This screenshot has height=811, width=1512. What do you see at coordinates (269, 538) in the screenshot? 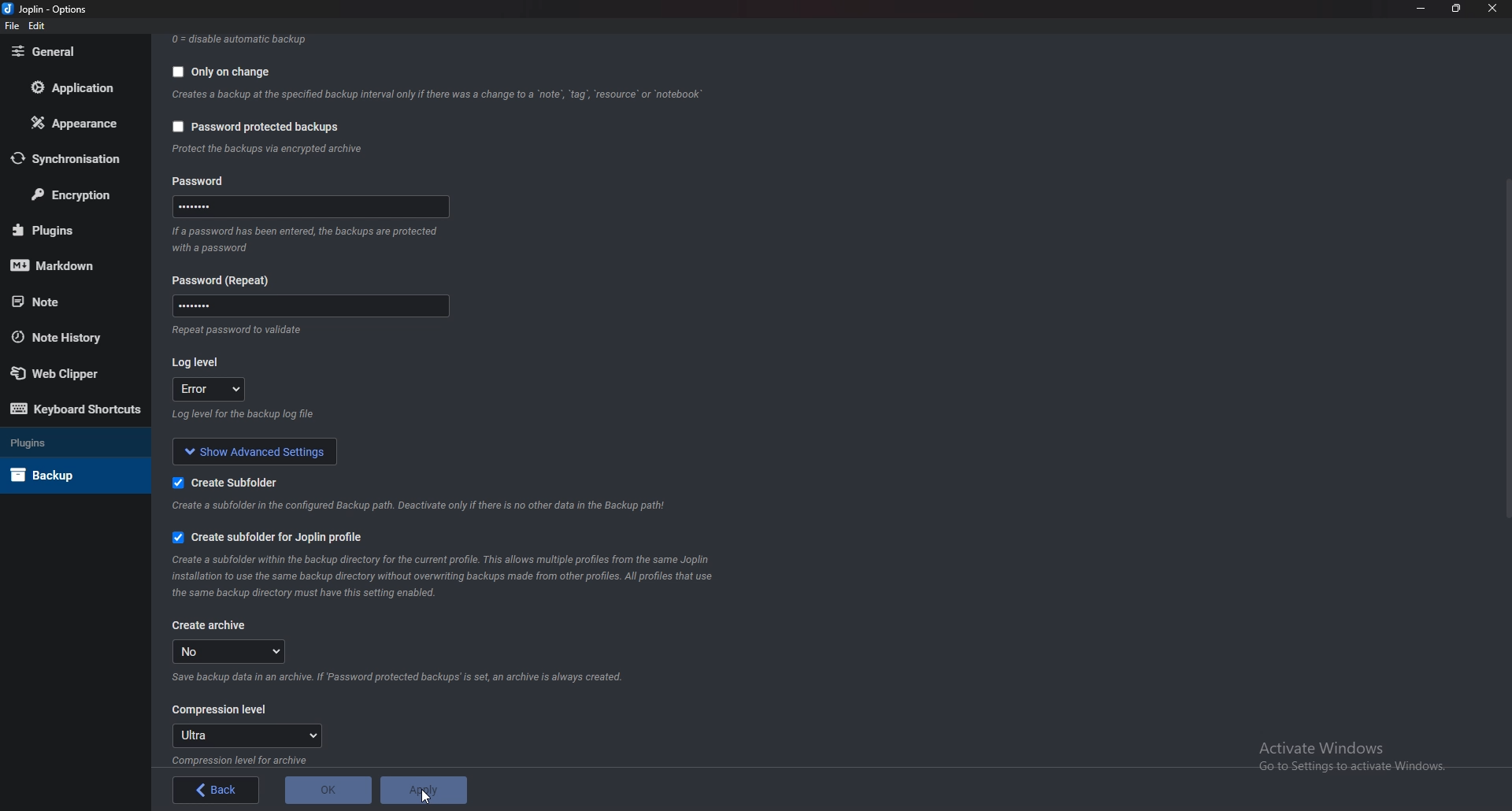
I see `Create sub folder for joplin profile` at bounding box center [269, 538].